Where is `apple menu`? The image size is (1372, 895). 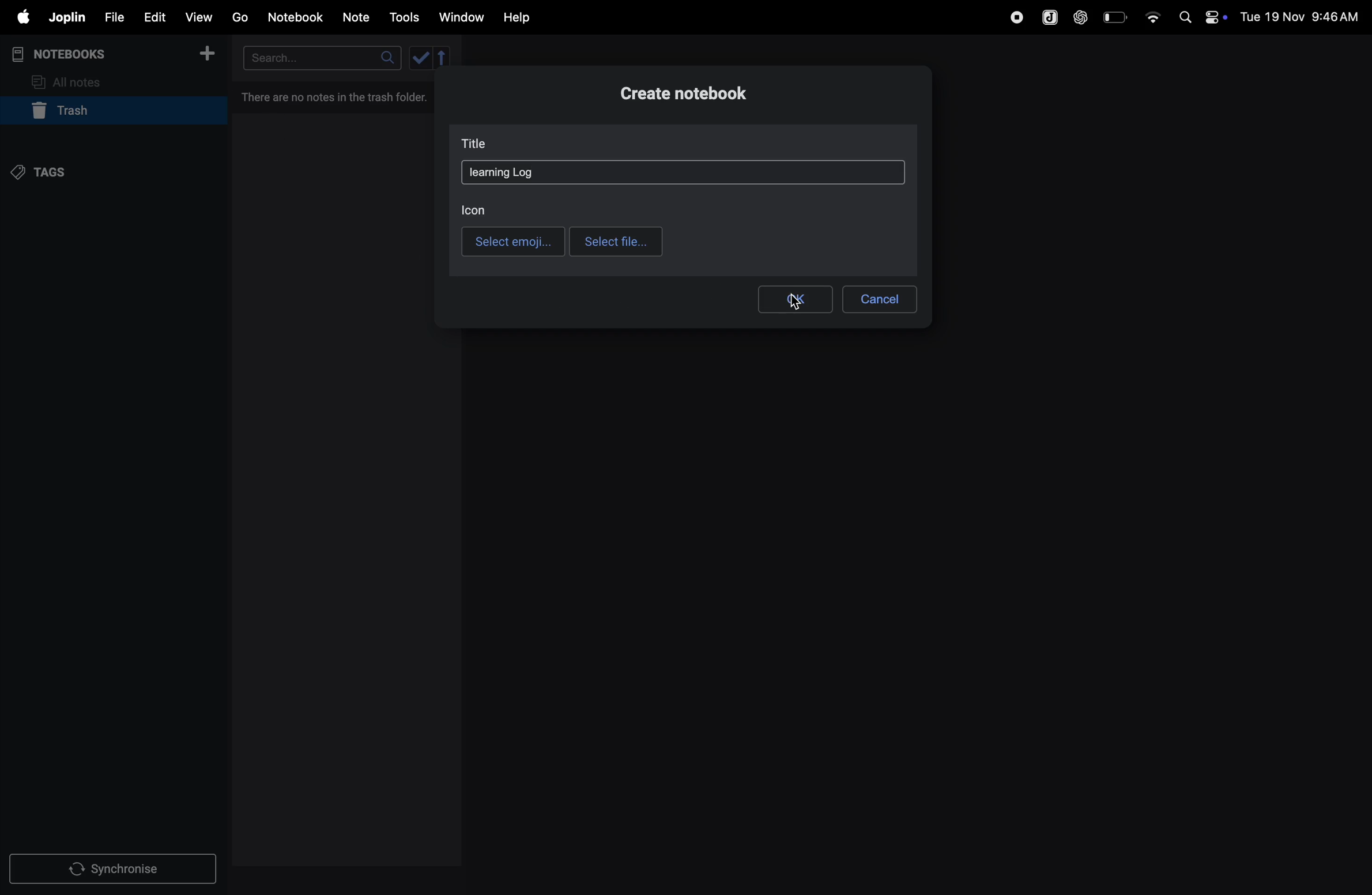 apple menu is located at coordinates (18, 18).